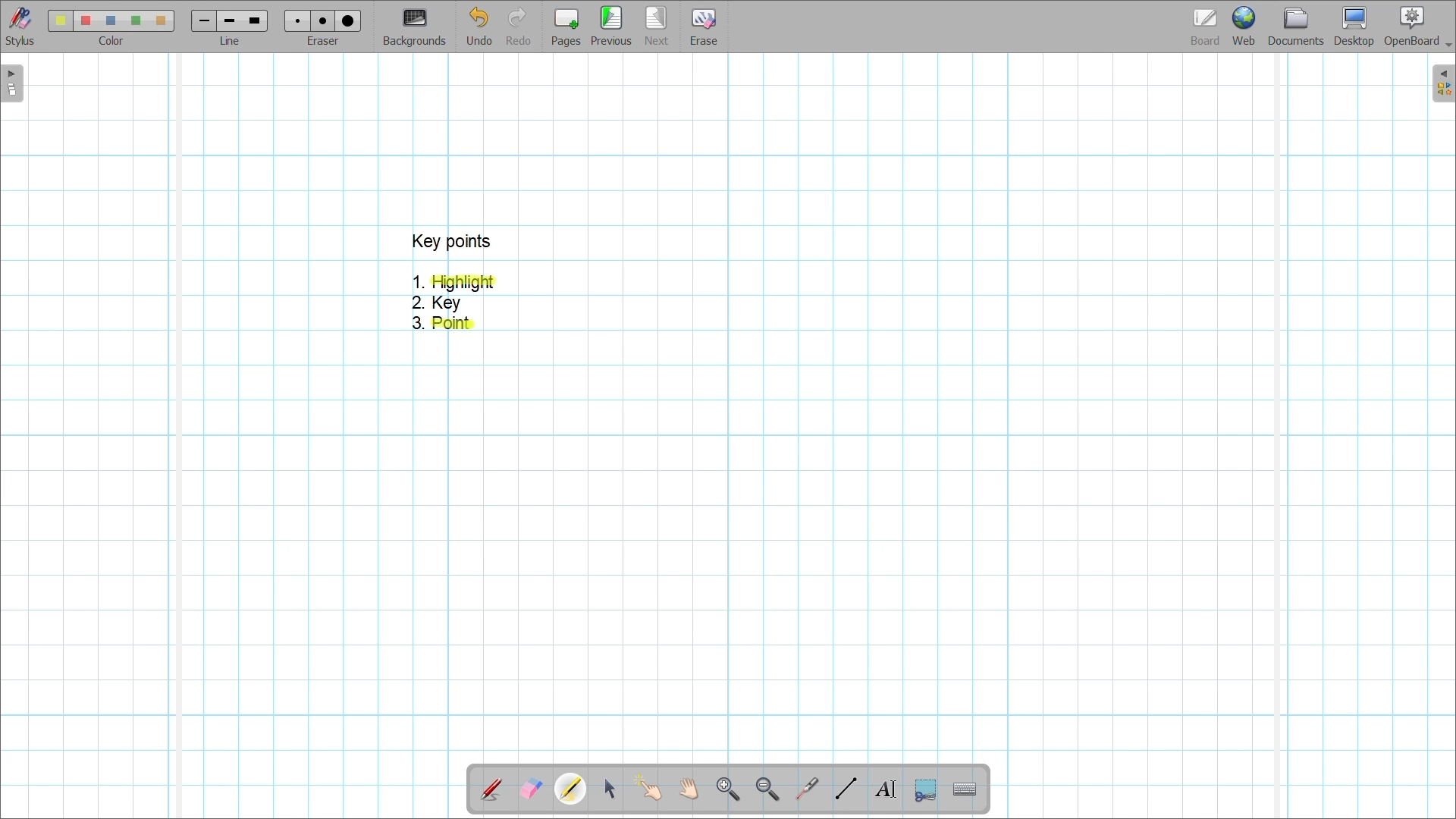  Describe the element at coordinates (253, 20) in the screenshot. I see `line 3` at that location.